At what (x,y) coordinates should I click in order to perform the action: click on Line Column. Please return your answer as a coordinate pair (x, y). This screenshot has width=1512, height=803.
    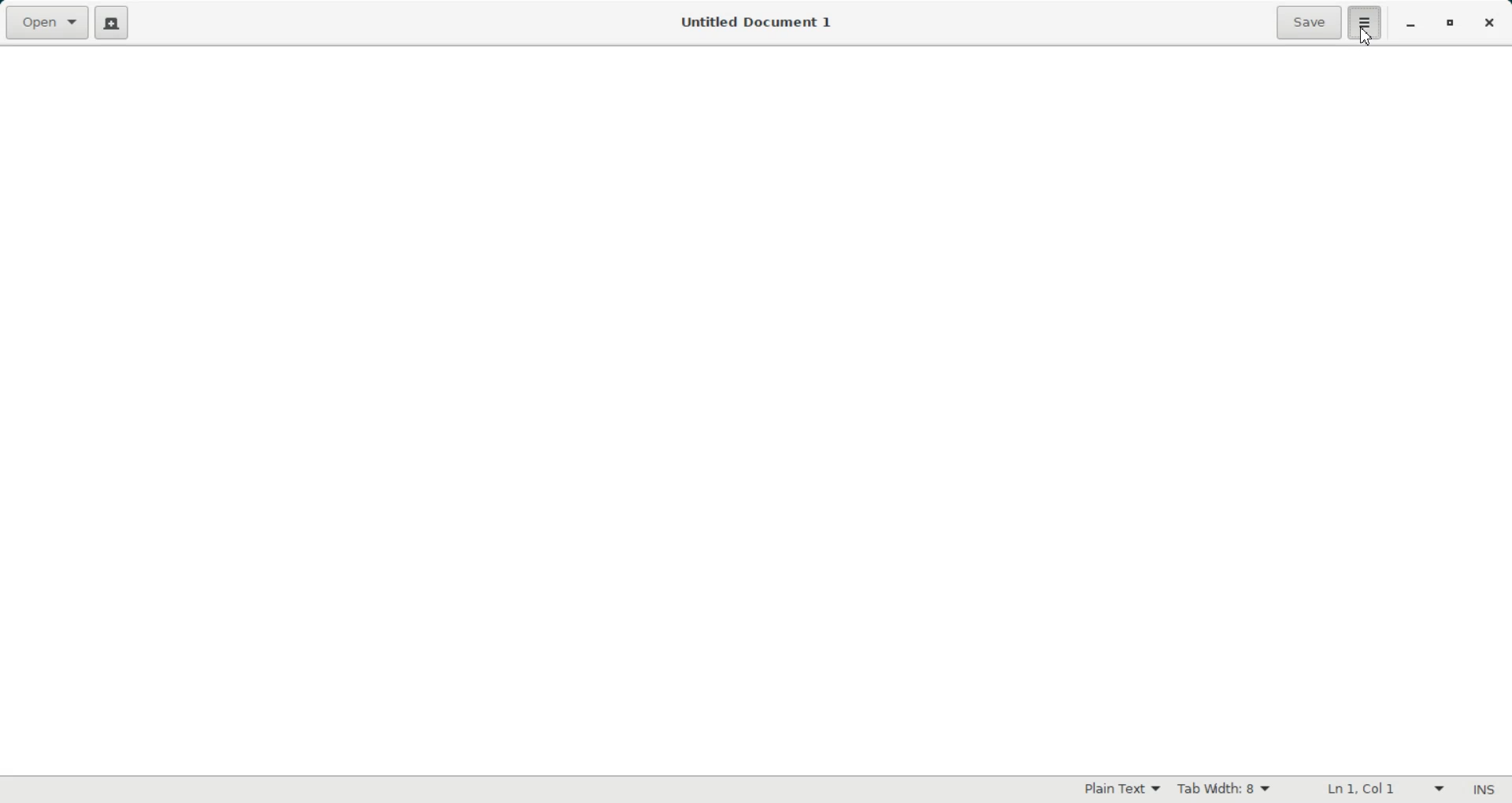
    Looking at the image, I should click on (1381, 790).